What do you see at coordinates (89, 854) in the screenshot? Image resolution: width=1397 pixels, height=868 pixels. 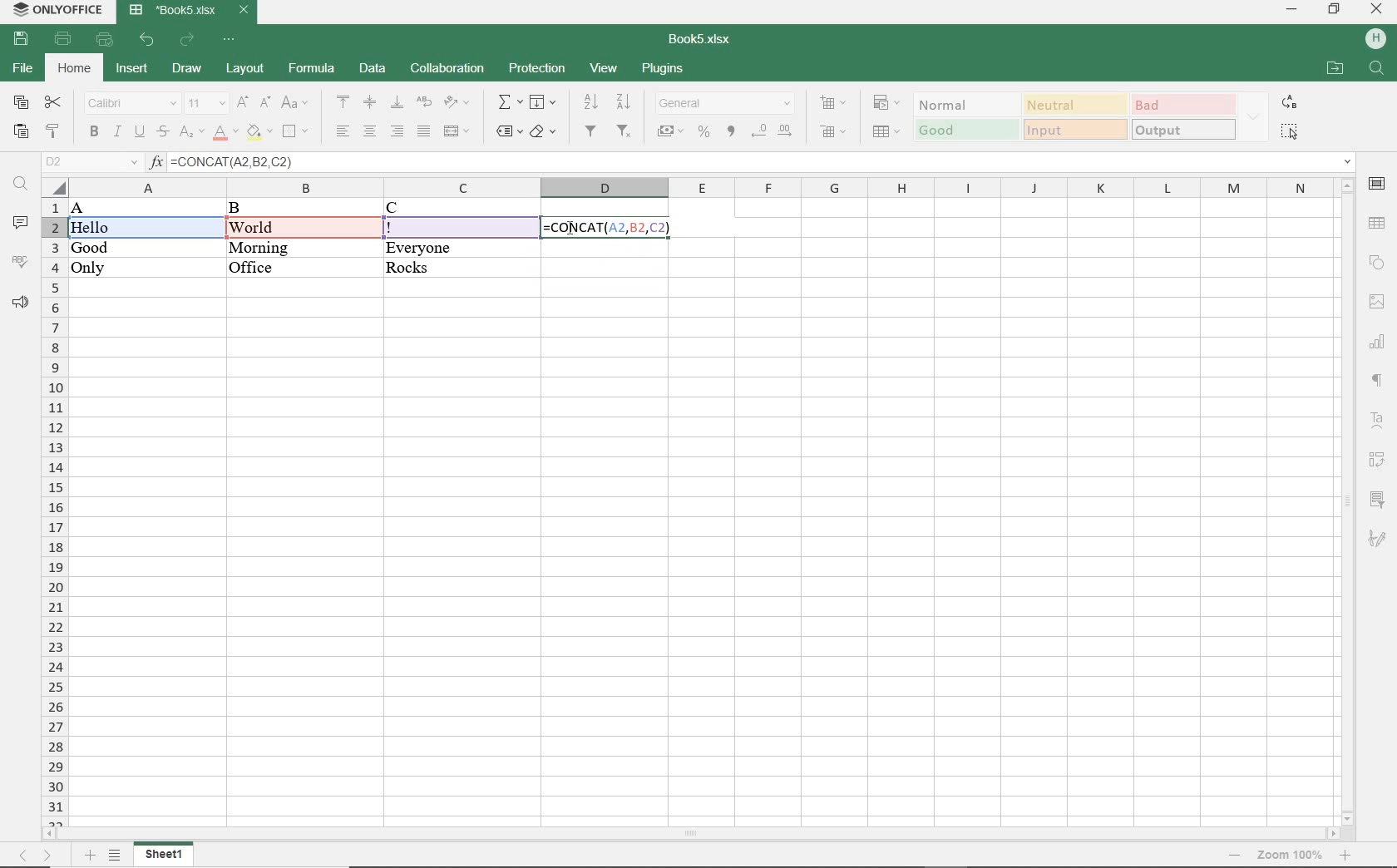 I see `ADD SHEETS` at bounding box center [89, 854].